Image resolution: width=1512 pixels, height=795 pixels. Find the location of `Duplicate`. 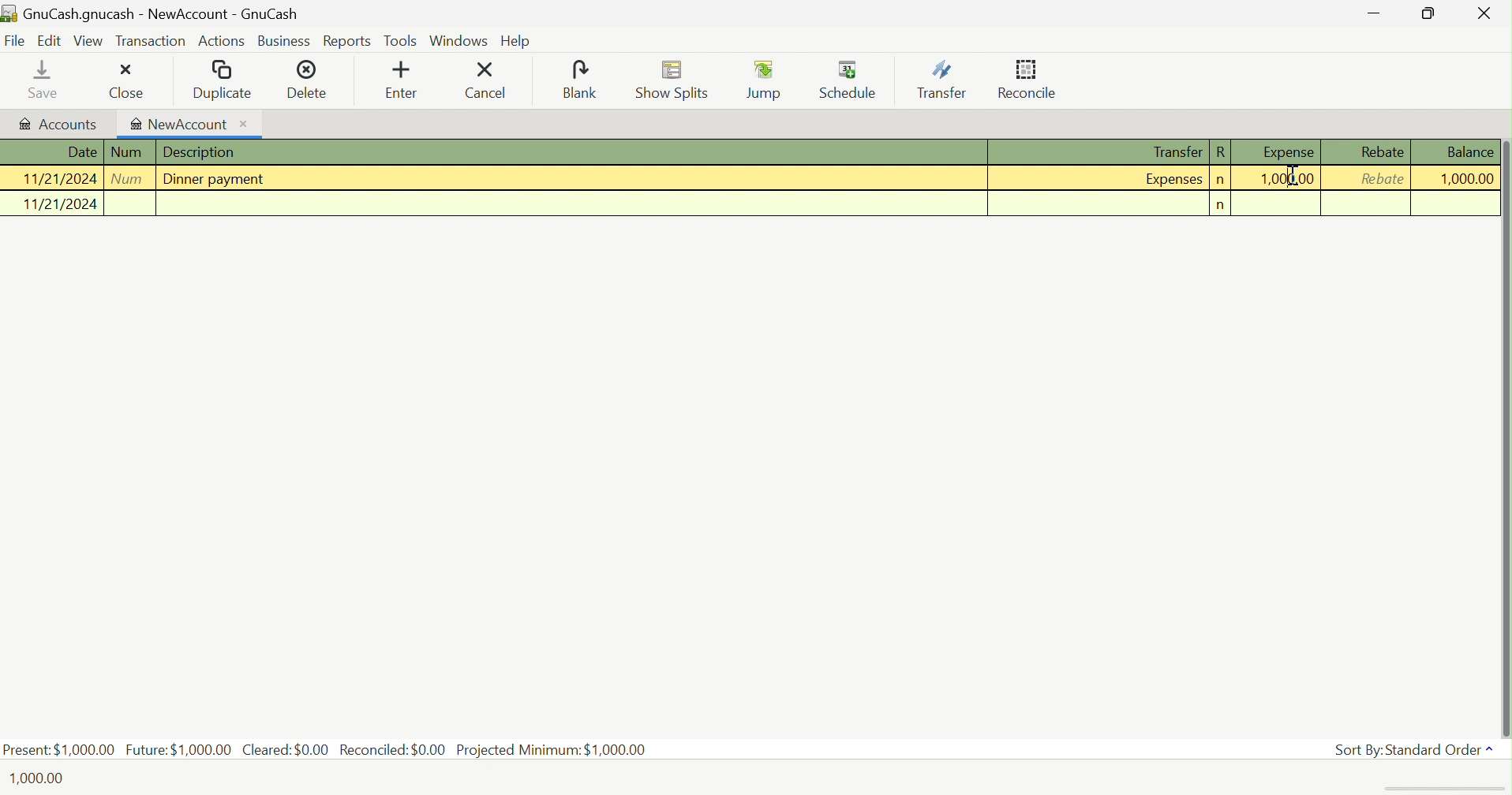

Duplicate is located at coordinates (222, 79).